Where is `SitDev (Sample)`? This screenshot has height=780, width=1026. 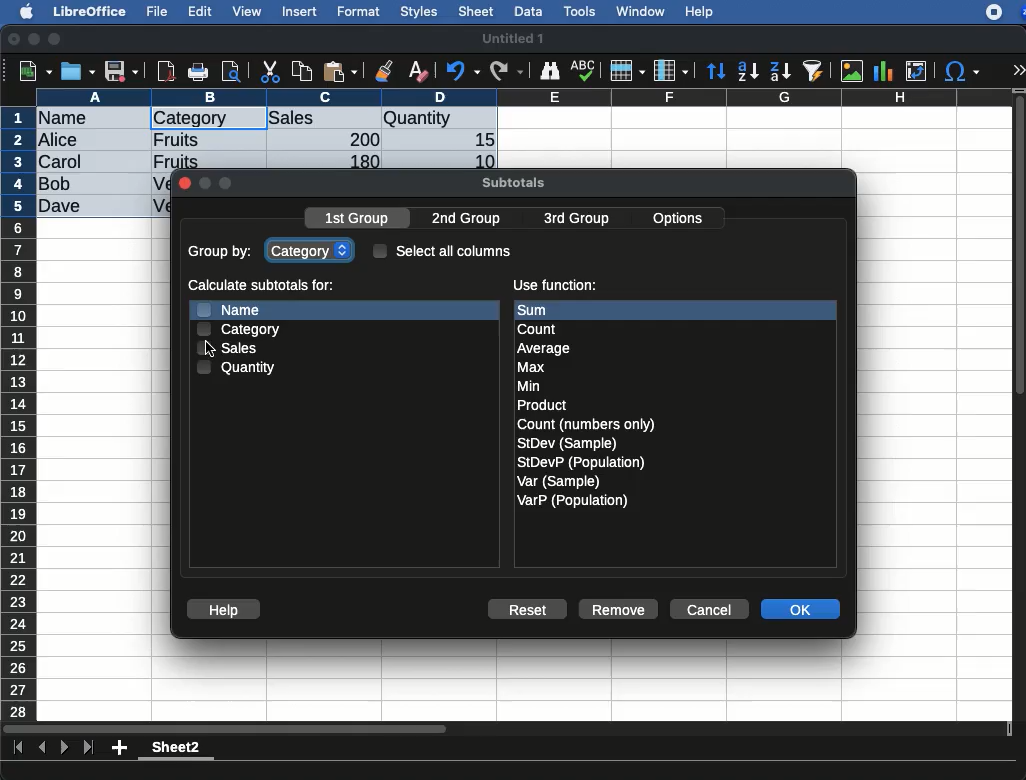
SitDev (Sample) is located at coordinates (568, 443).